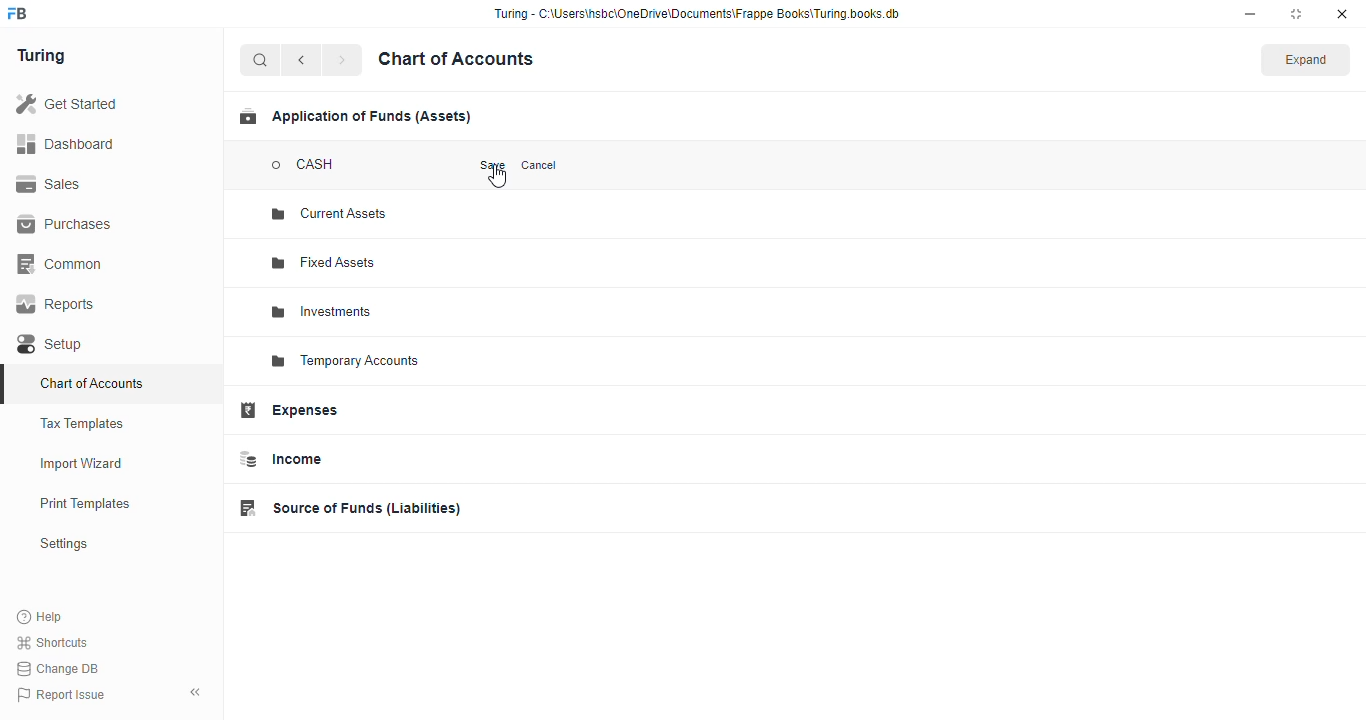 Image resolution: width=1366 pixels, height=720 pixels. I want to click on minimize, so click(1250, 14).